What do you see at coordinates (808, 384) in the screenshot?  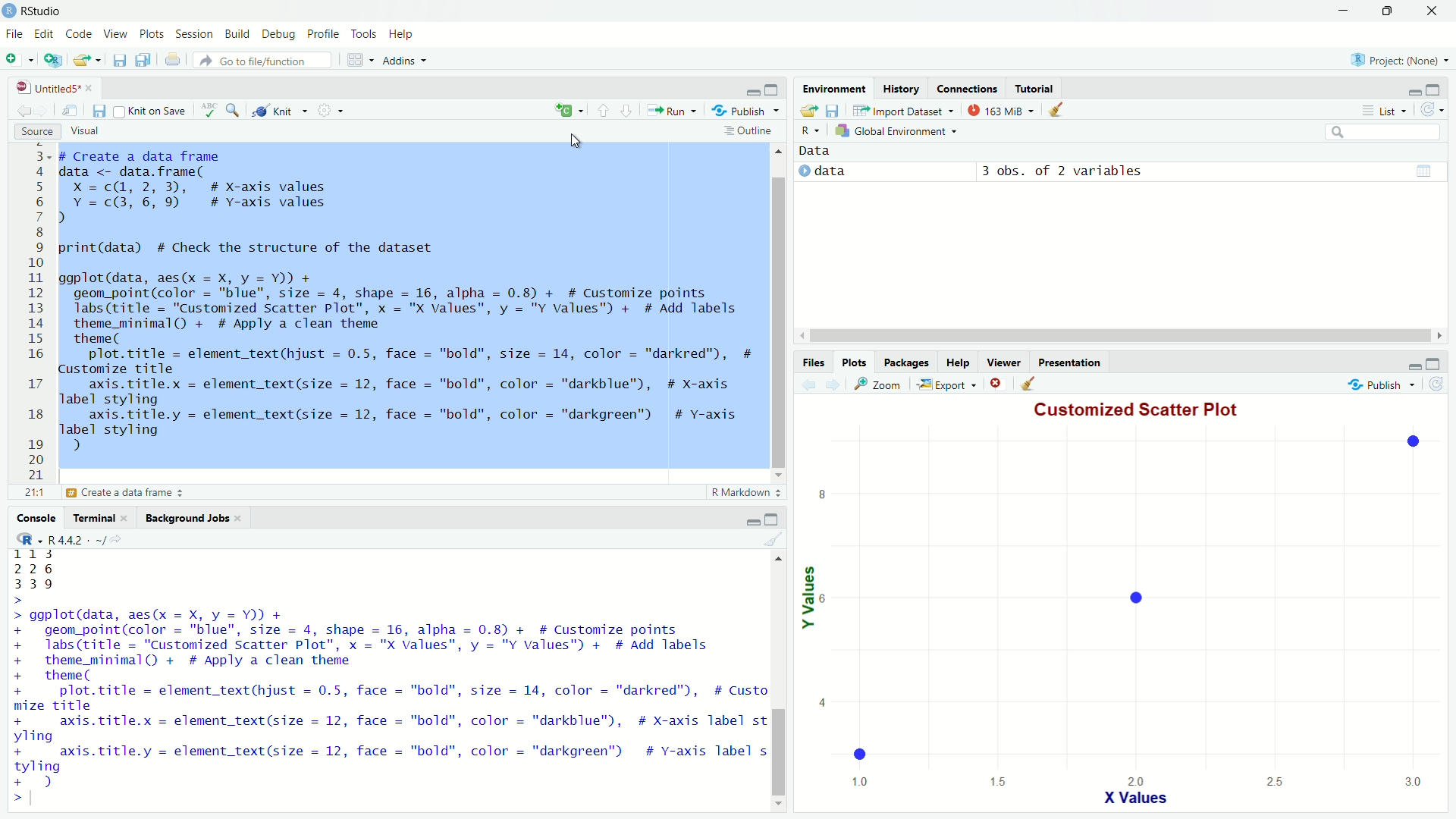 I see `Back ` at bounding box center [808, 384].